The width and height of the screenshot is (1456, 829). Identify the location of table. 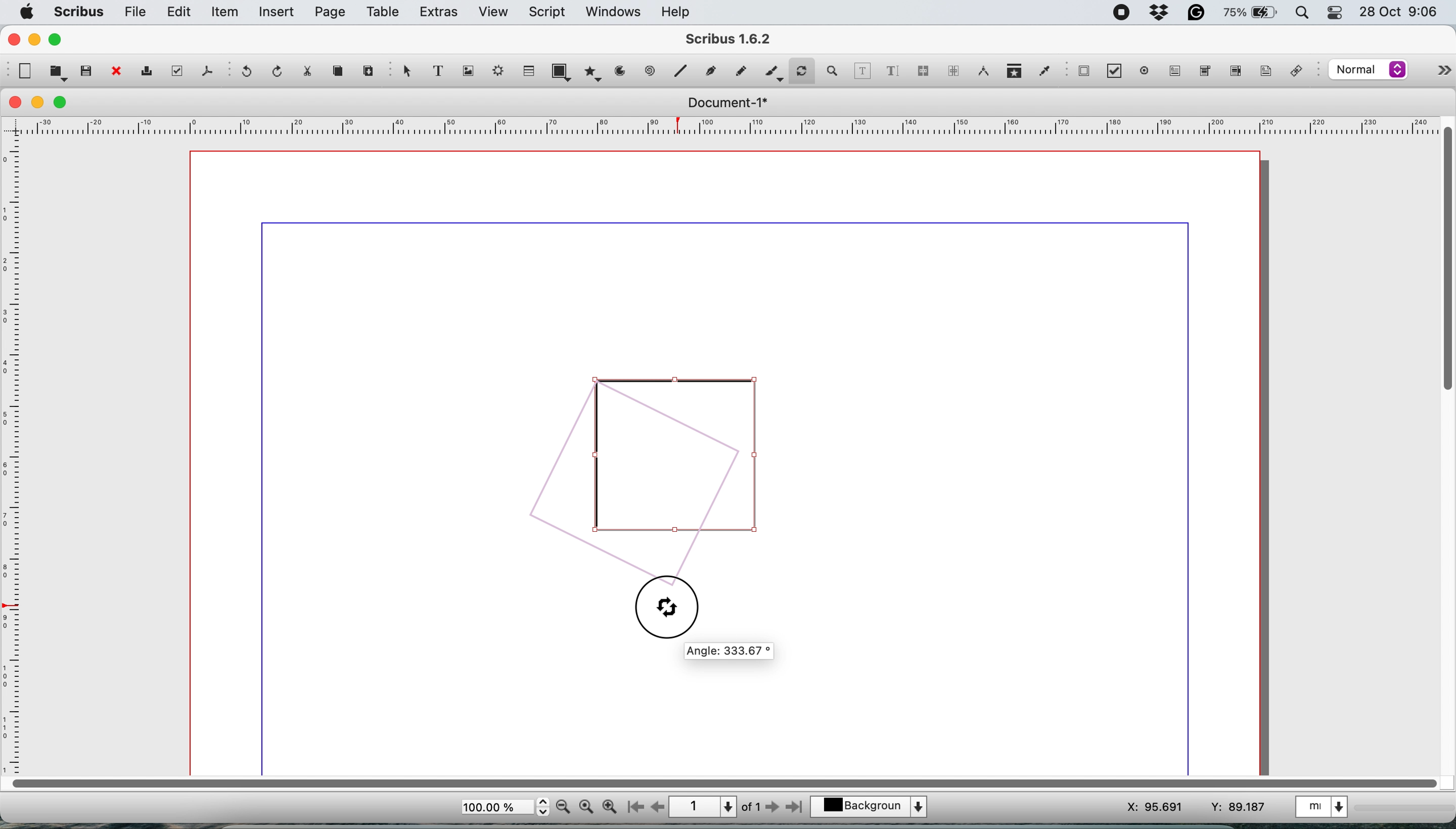
(384, 14).